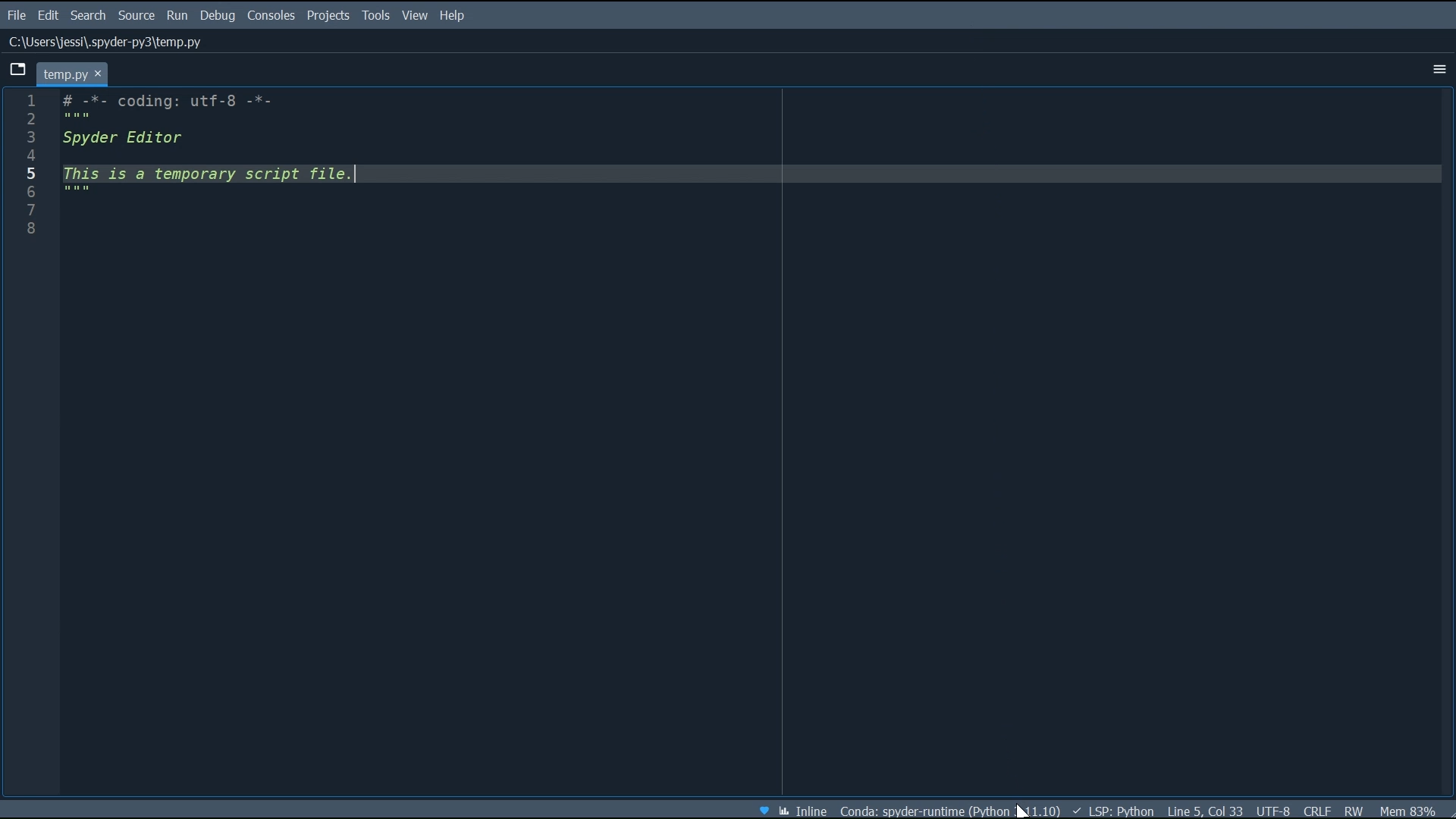 The width and height of the screenshot is (1456, 819). What do you see at coordinates (271, 17) in the screenshot?
I see `Consoles` at bounding box center [271, 17].